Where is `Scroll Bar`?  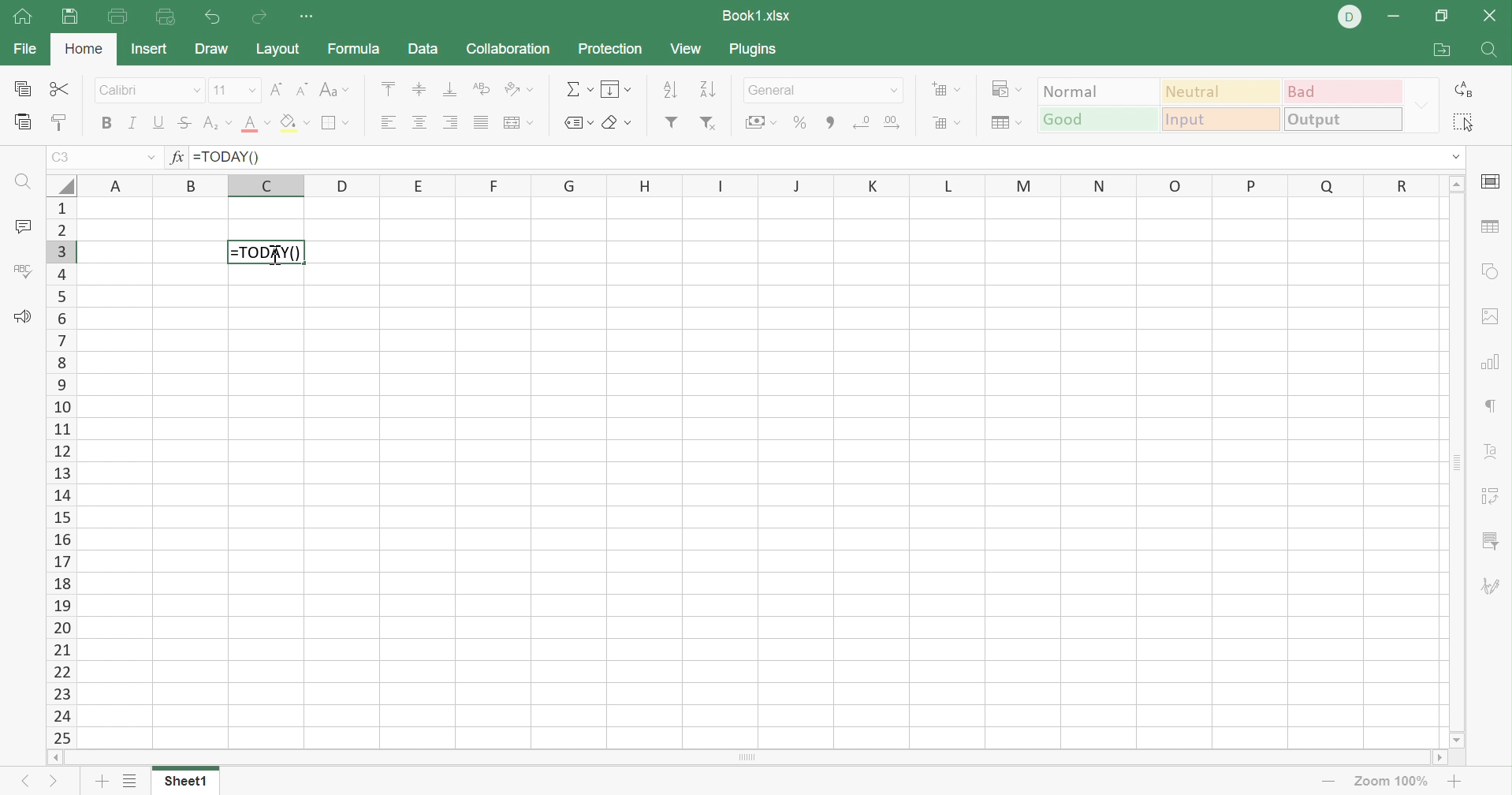
Scroll Bar is located at coordinates (1456, 462).